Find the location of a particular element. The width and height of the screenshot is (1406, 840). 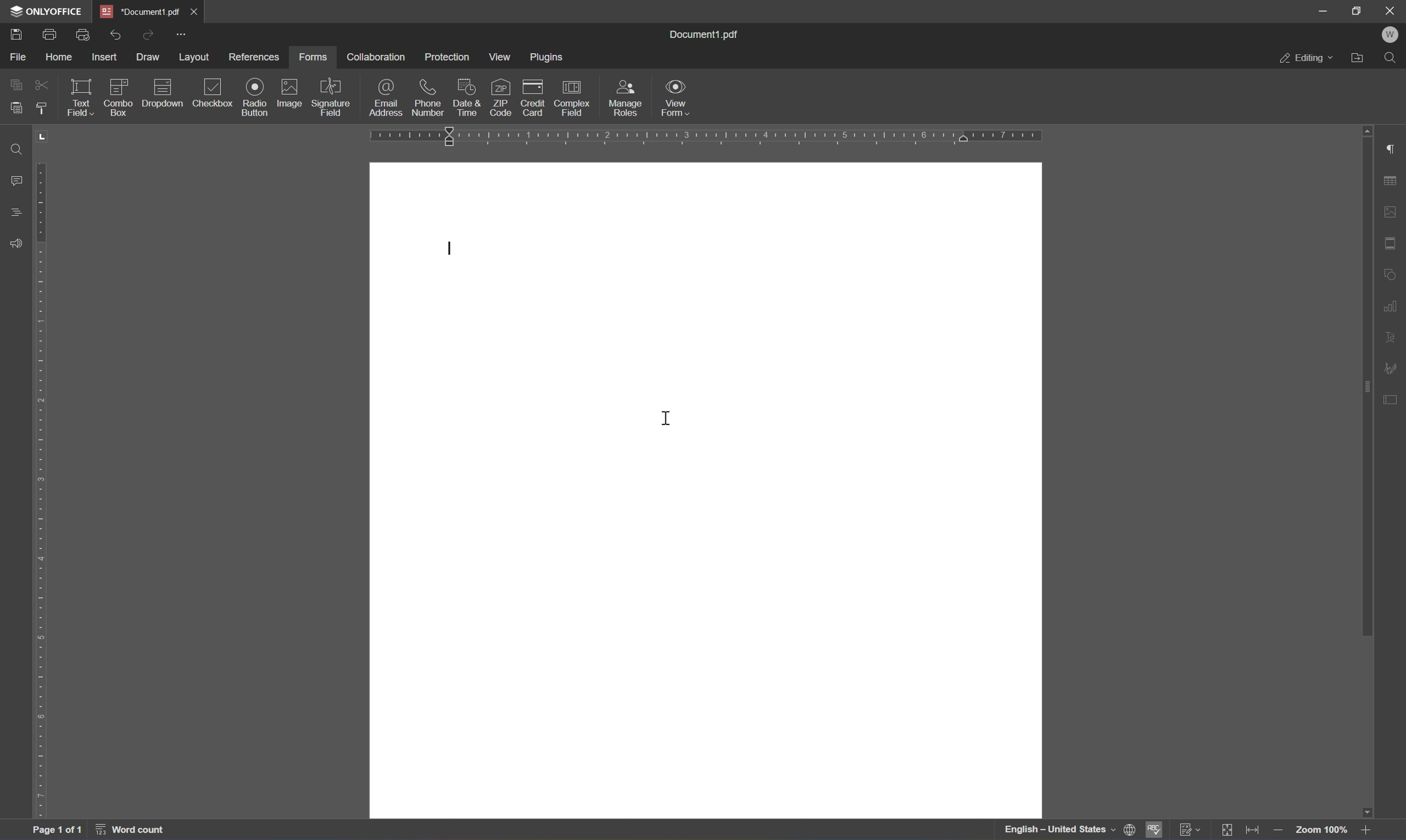

track changes is located at coordinates (1189, 828).